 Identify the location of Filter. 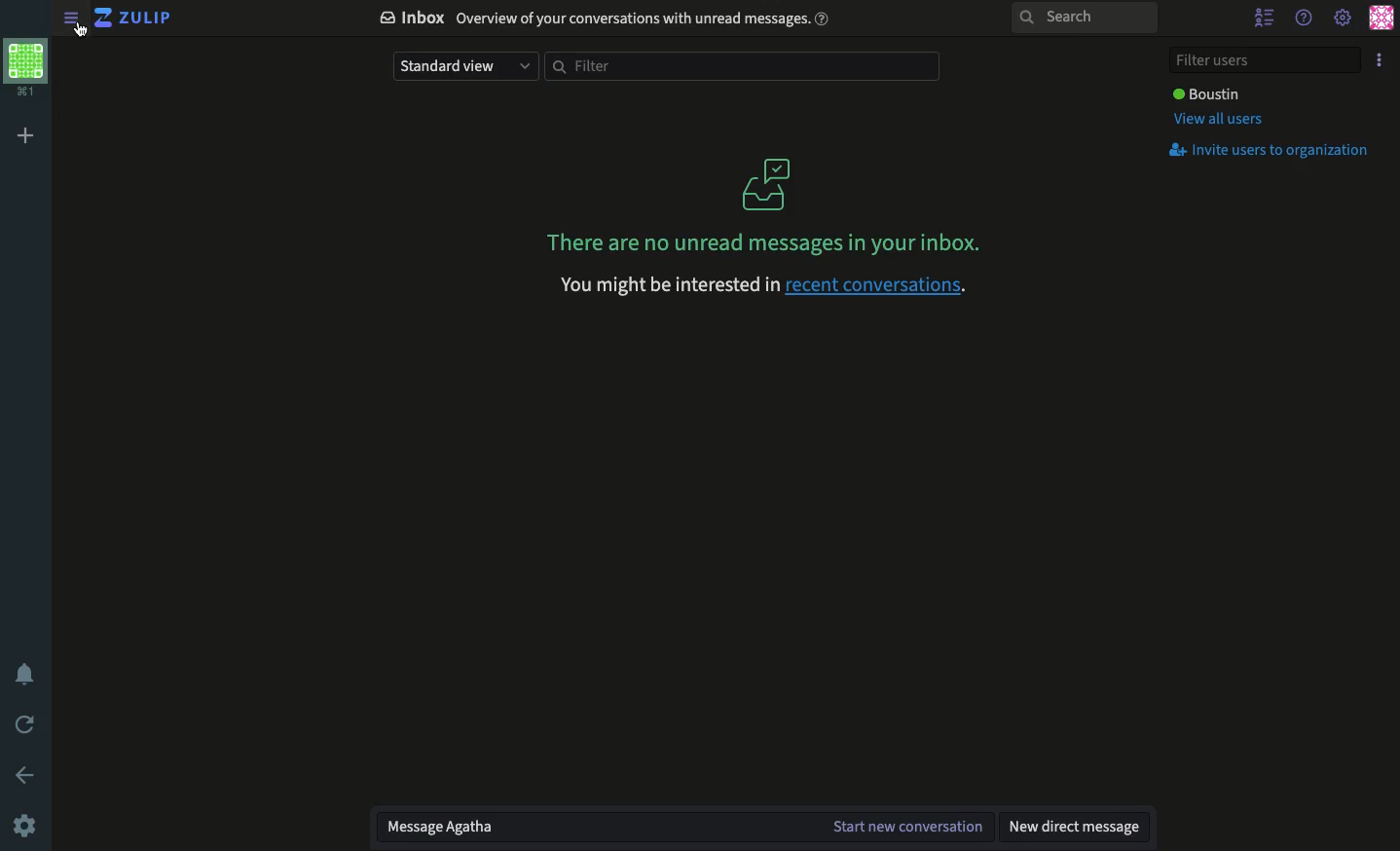
(746, 66).